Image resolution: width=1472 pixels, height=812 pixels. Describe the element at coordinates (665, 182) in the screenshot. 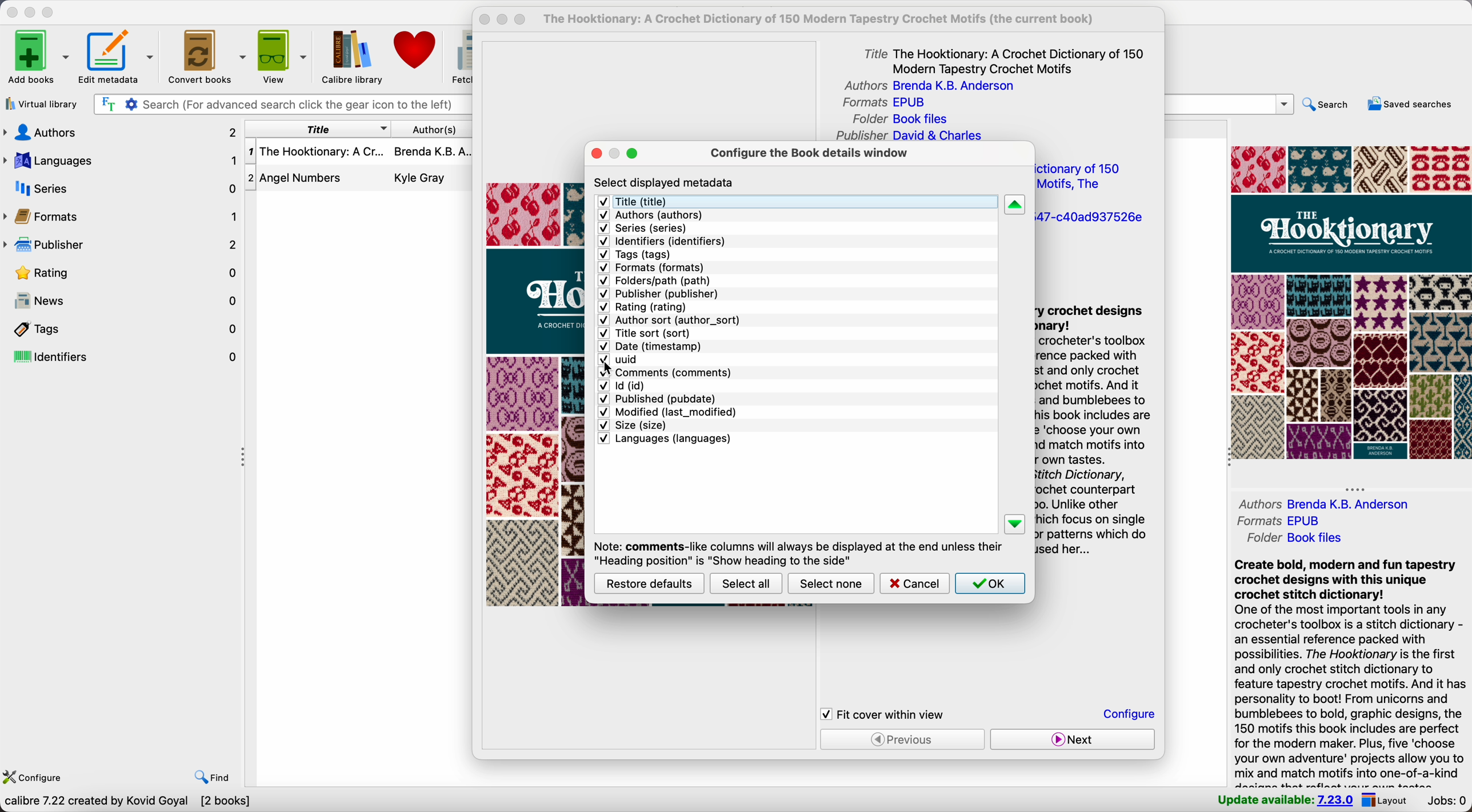

I see `select displayed metadata` at that location.